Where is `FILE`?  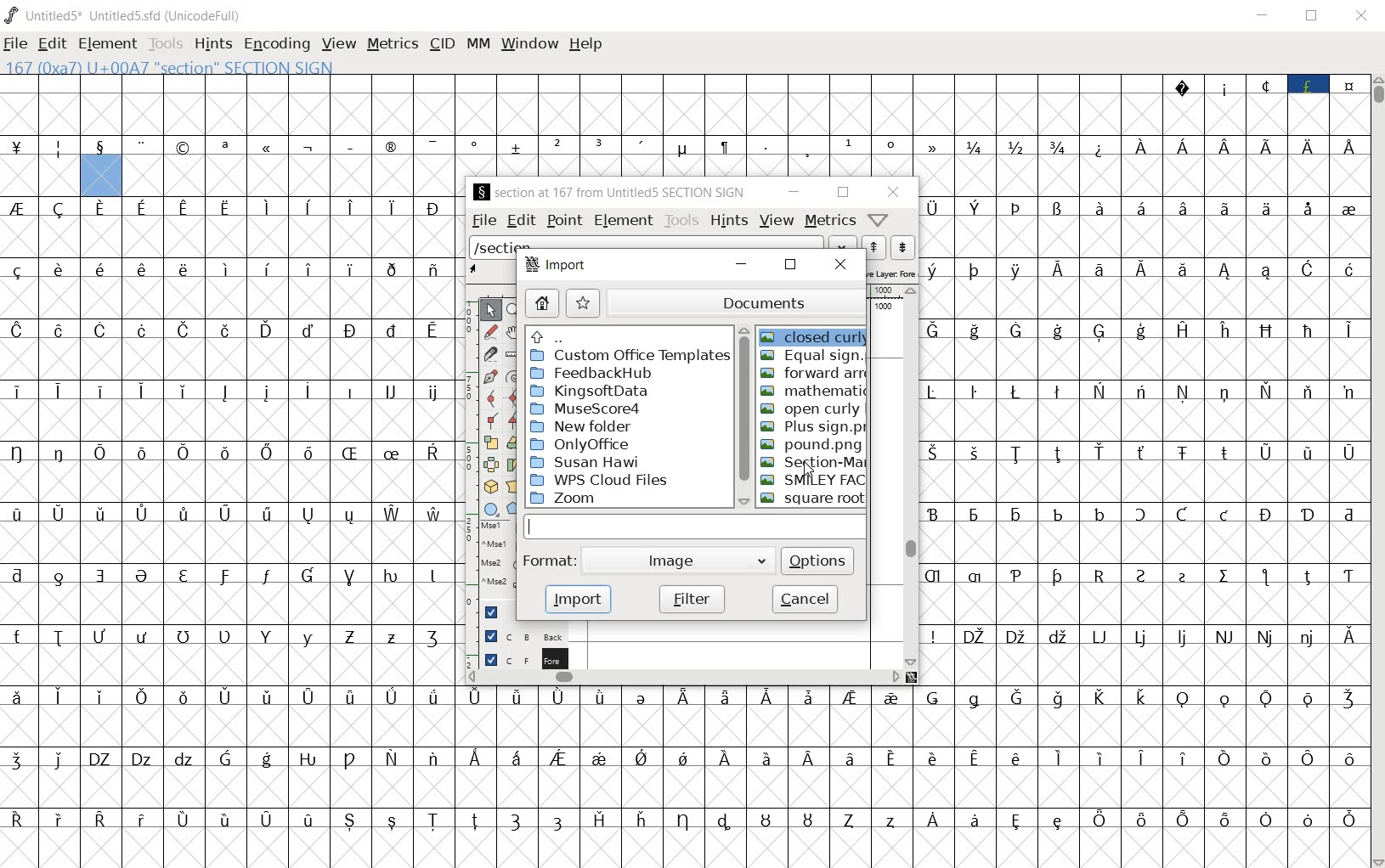 FILE is located at coordinates (17, 44).